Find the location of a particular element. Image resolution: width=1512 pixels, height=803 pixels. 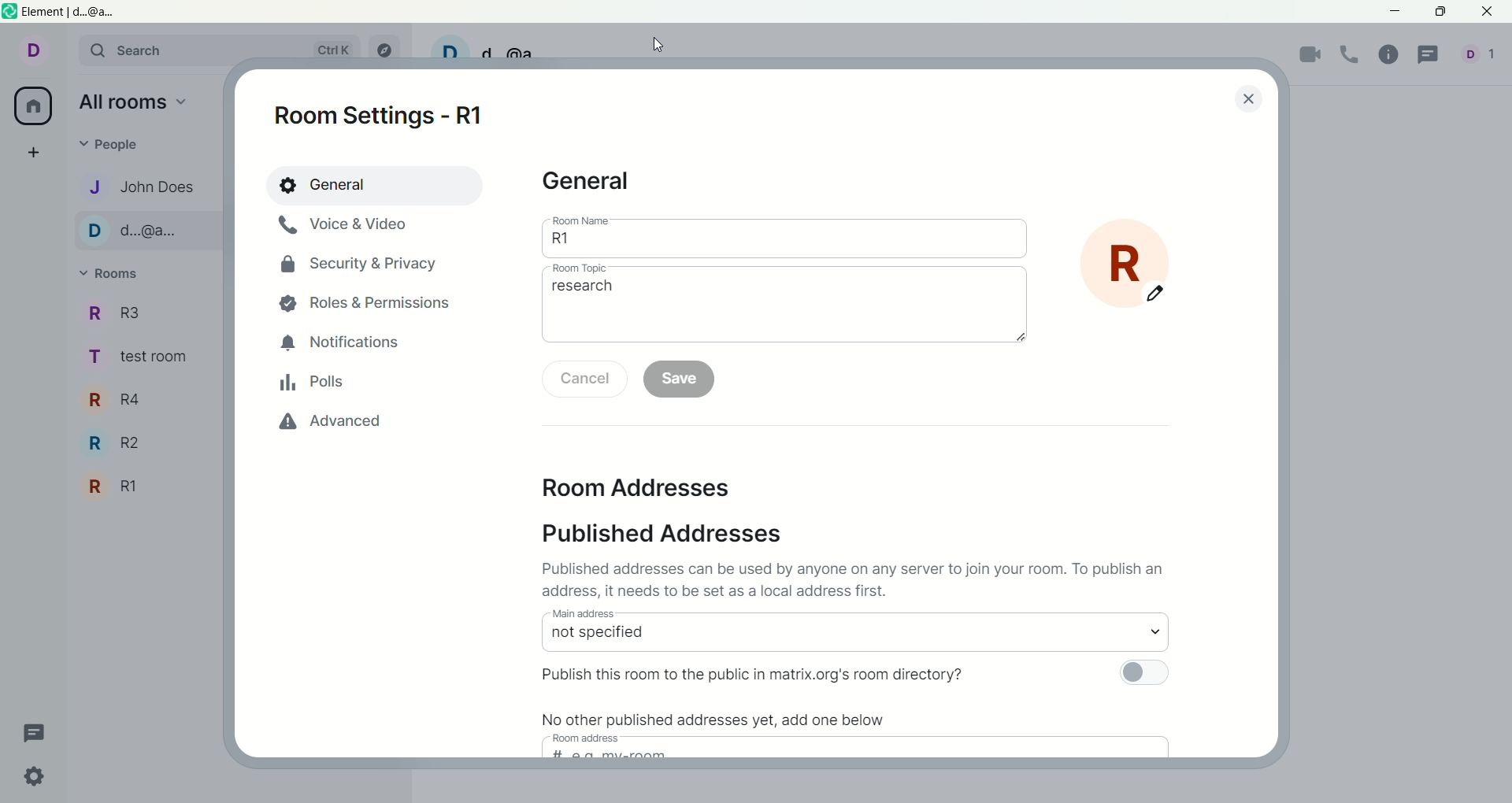

voice call is located at coordinates (1350, 57).